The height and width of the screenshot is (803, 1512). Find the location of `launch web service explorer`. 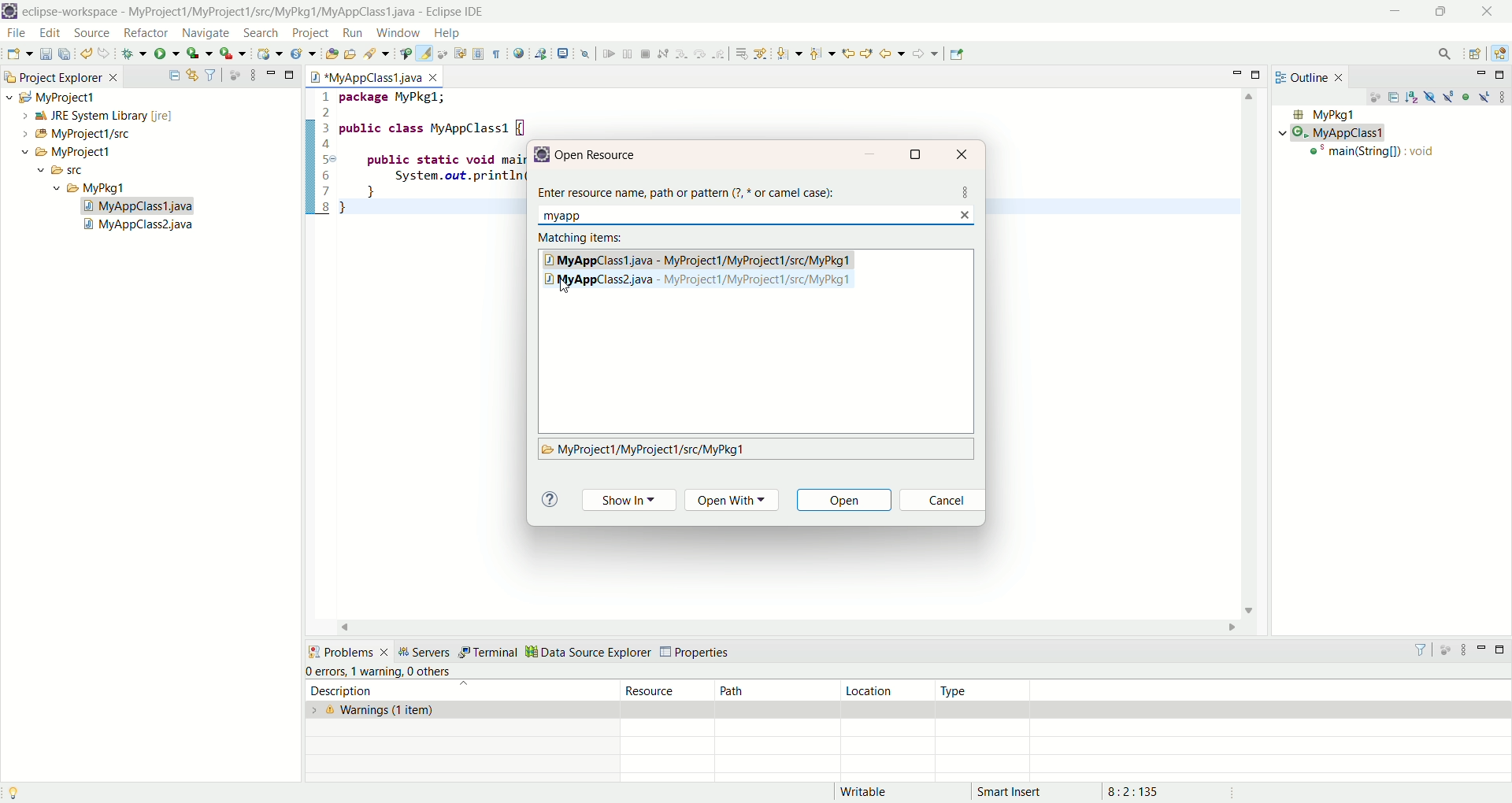

launch web service explorer is located at coordinates (541, 53).